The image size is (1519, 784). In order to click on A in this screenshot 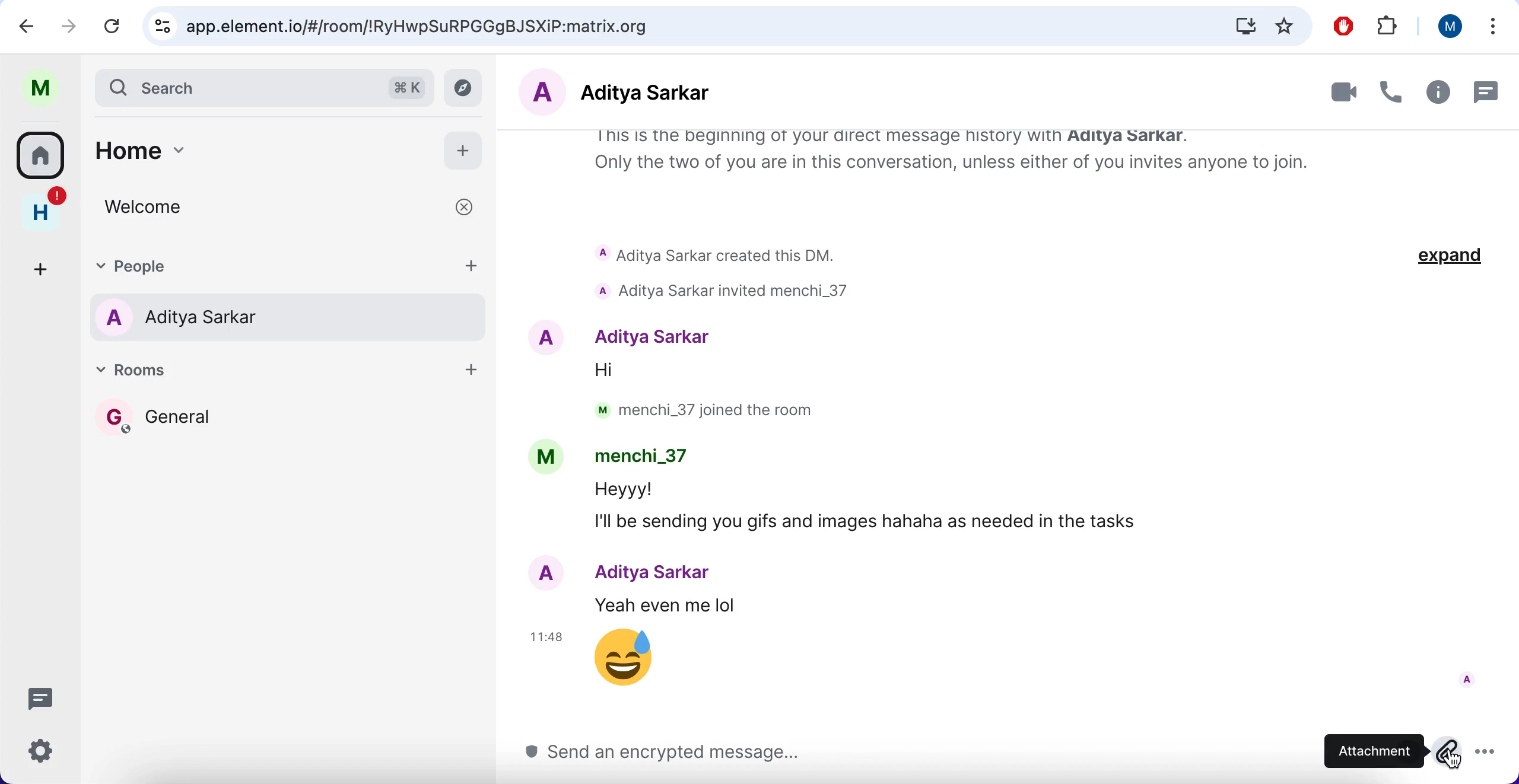, I will do `click(539, 339)`.